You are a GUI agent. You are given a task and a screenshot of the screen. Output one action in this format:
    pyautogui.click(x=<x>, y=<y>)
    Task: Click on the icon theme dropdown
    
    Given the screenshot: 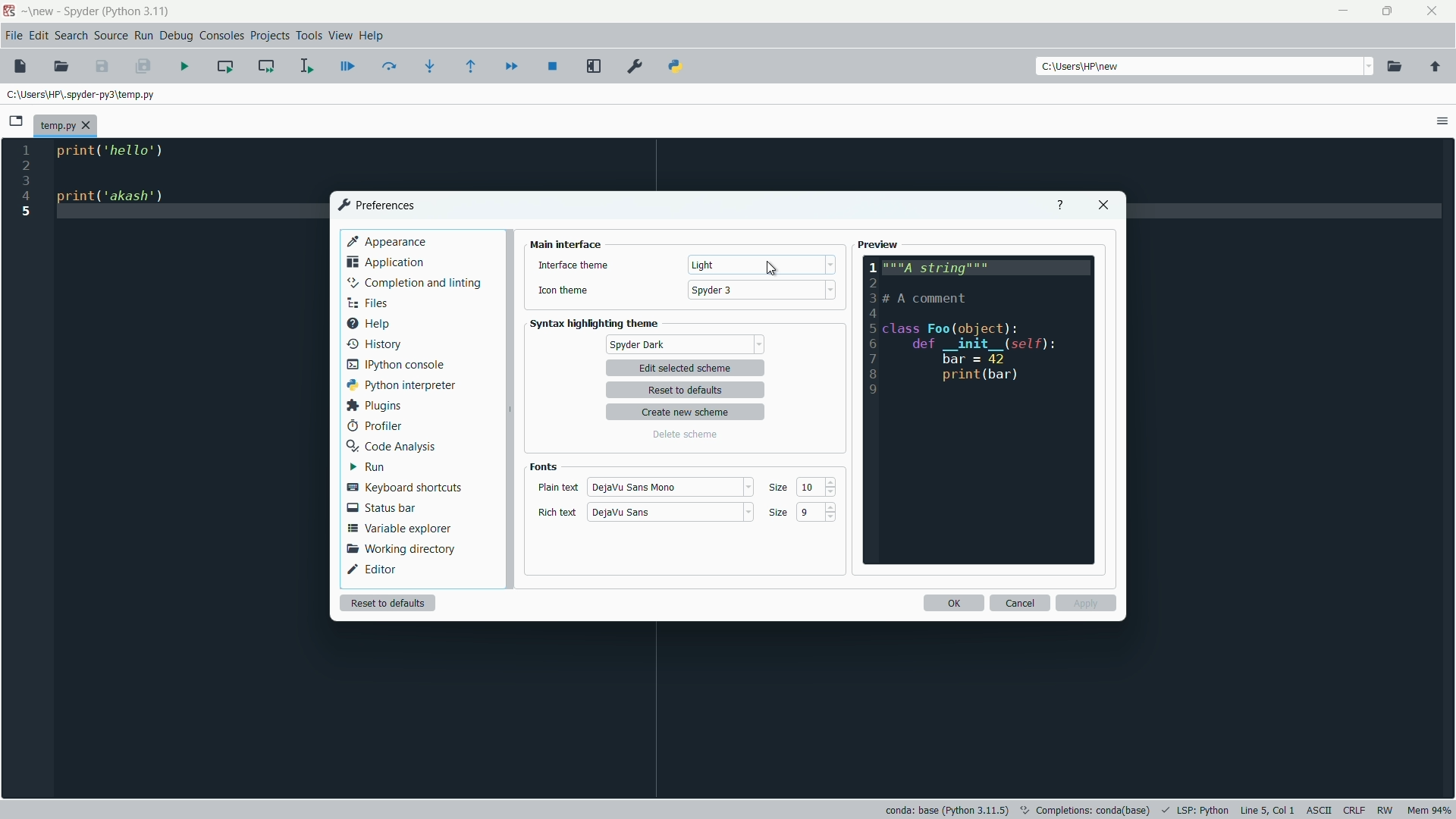 What is the action you would take?
    pyautogui.click(x=761, y=289)
    